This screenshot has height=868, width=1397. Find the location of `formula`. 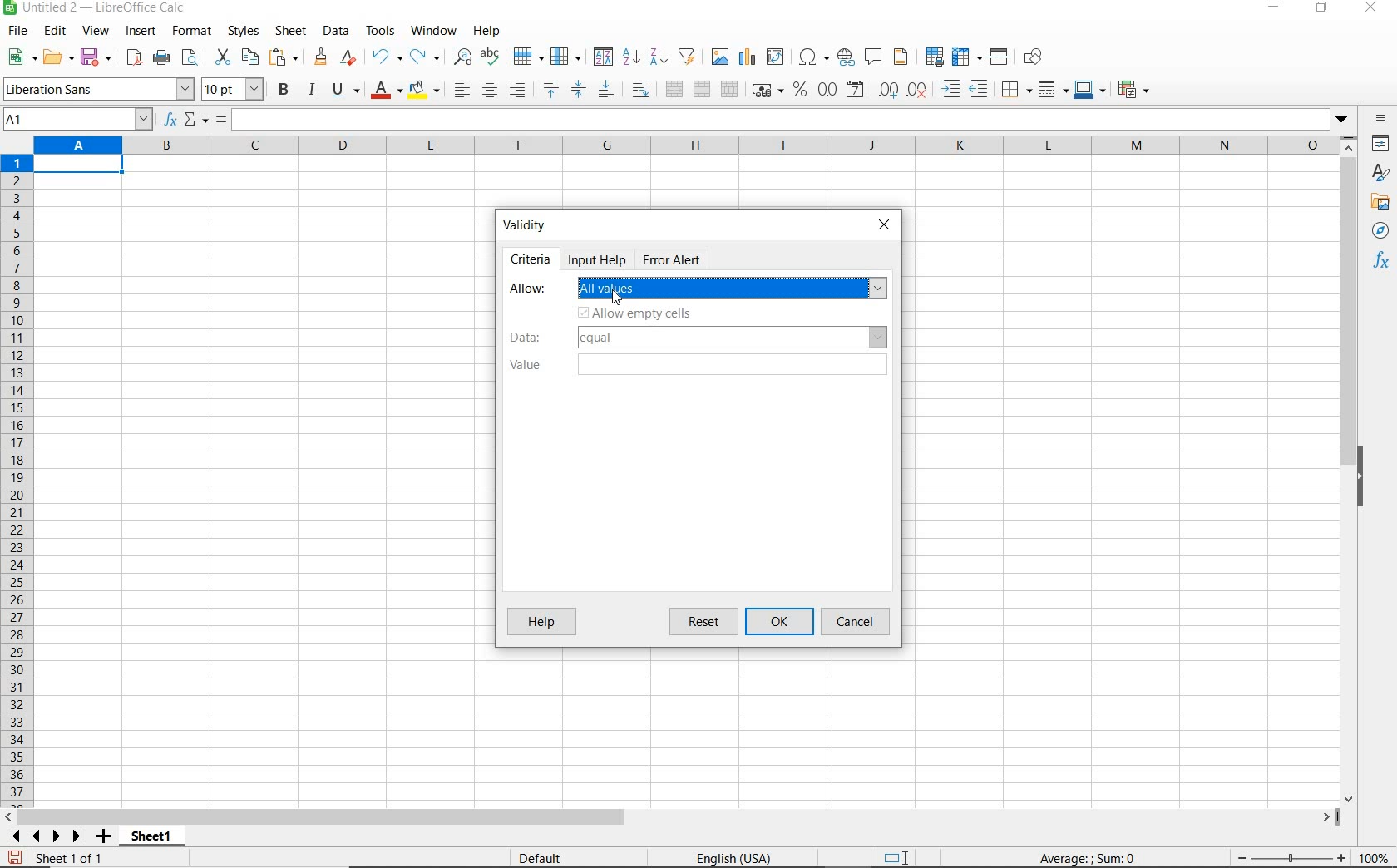

formula is located at coordinates (1088, 857).